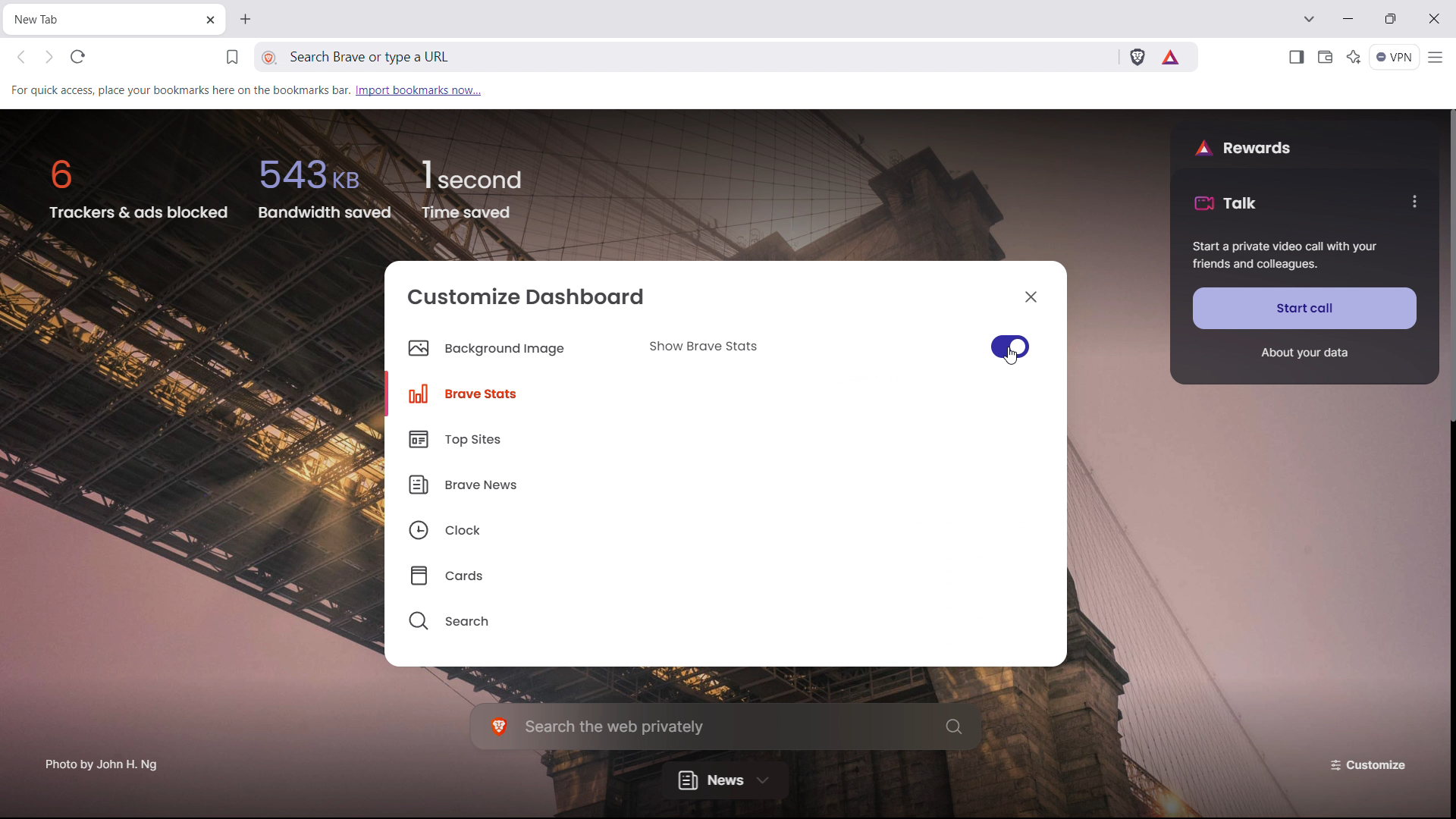  What do you see at coordinates (1413, 201) in the screenshot?
I see `options` at bounding box center [1413, 201].